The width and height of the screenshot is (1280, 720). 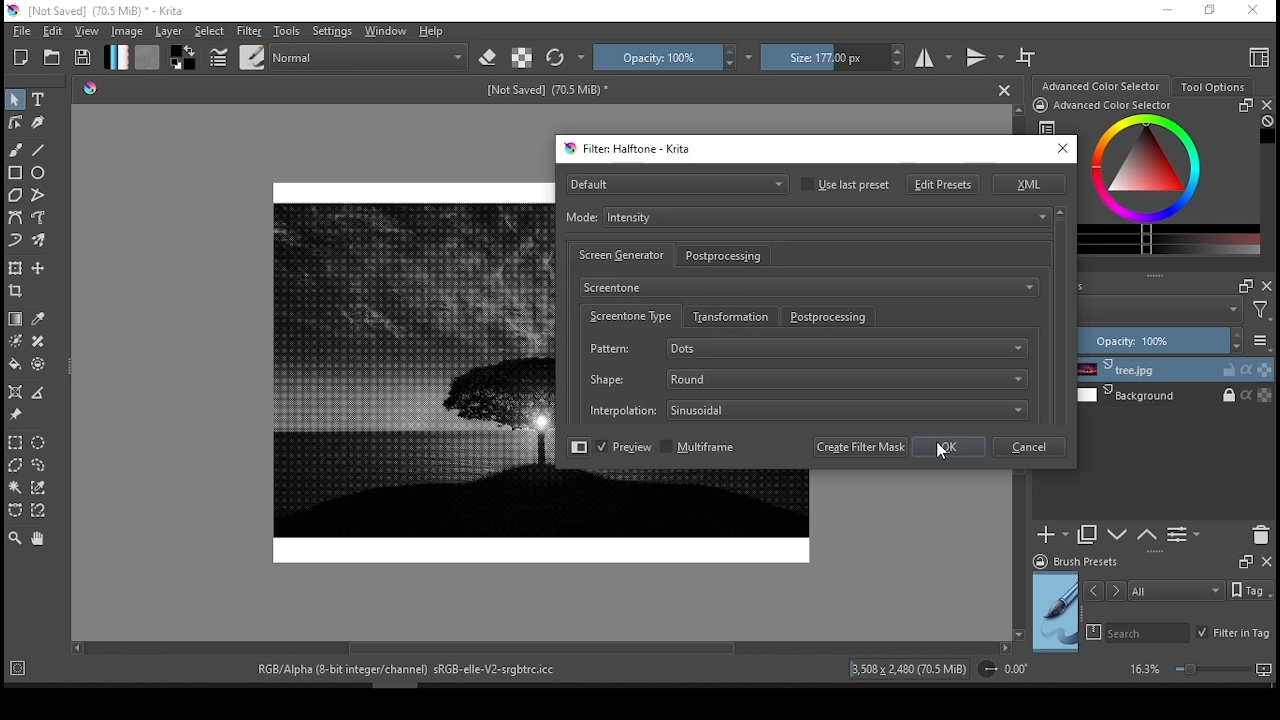 What do you see at coordinates (16, 218) in the screenshot?
I see `bezier path tool` at bounding box center [16, 218].